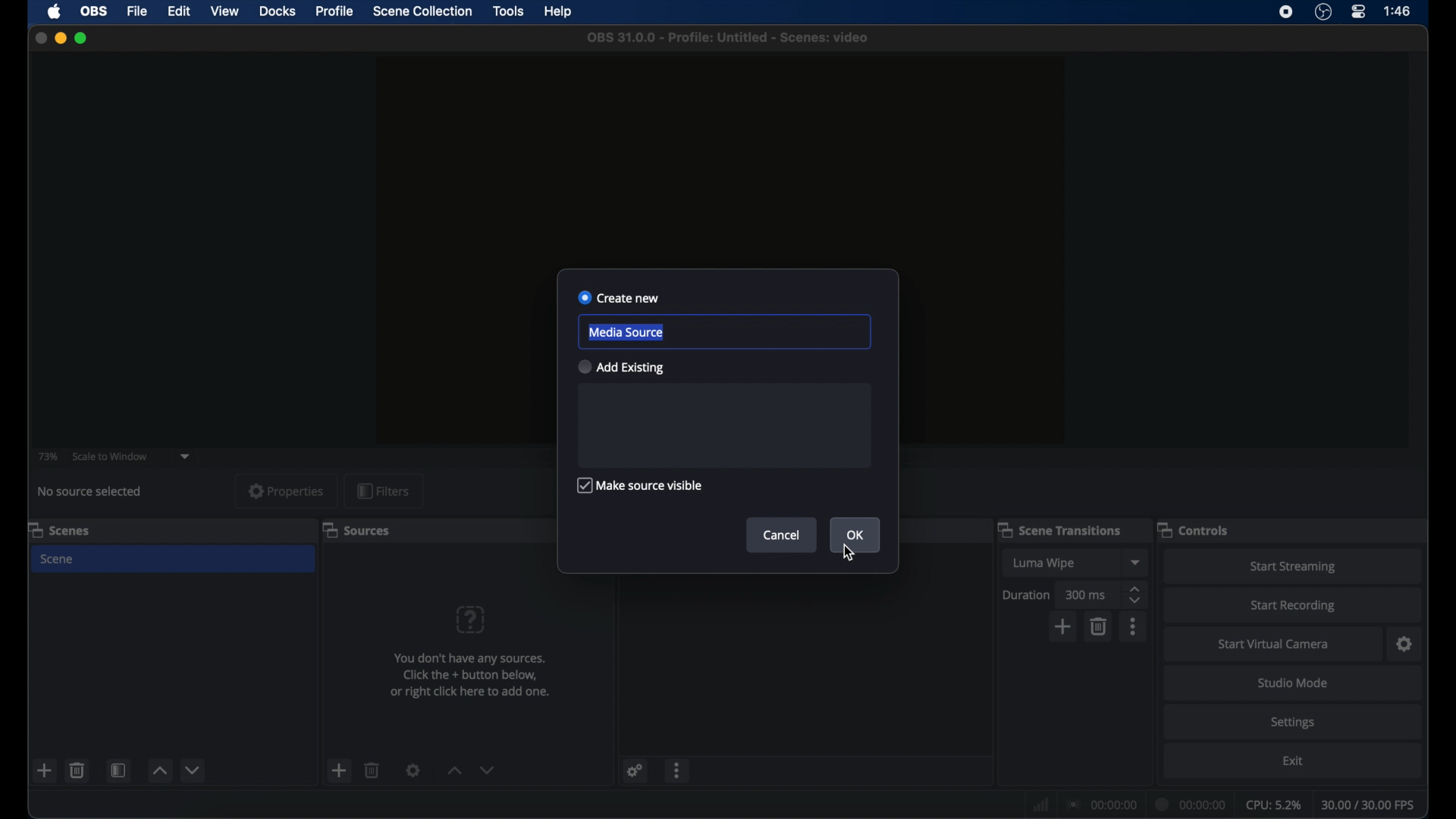  What do you see at coordinates (49, 457) in the screenshot?
I see `73%` at bounding box center [49, 457].